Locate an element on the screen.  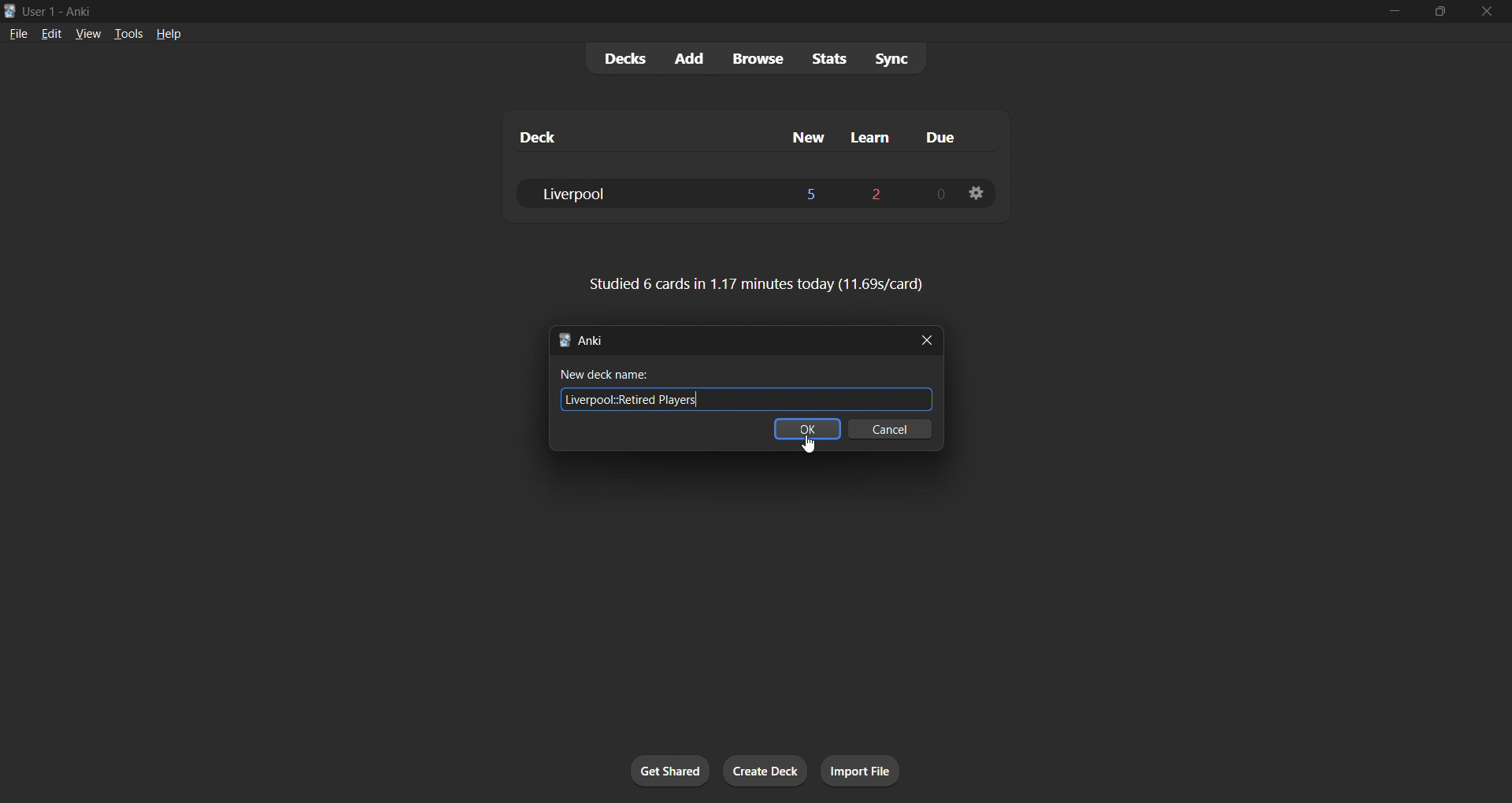
title bar is located at coordinates (668, 12).